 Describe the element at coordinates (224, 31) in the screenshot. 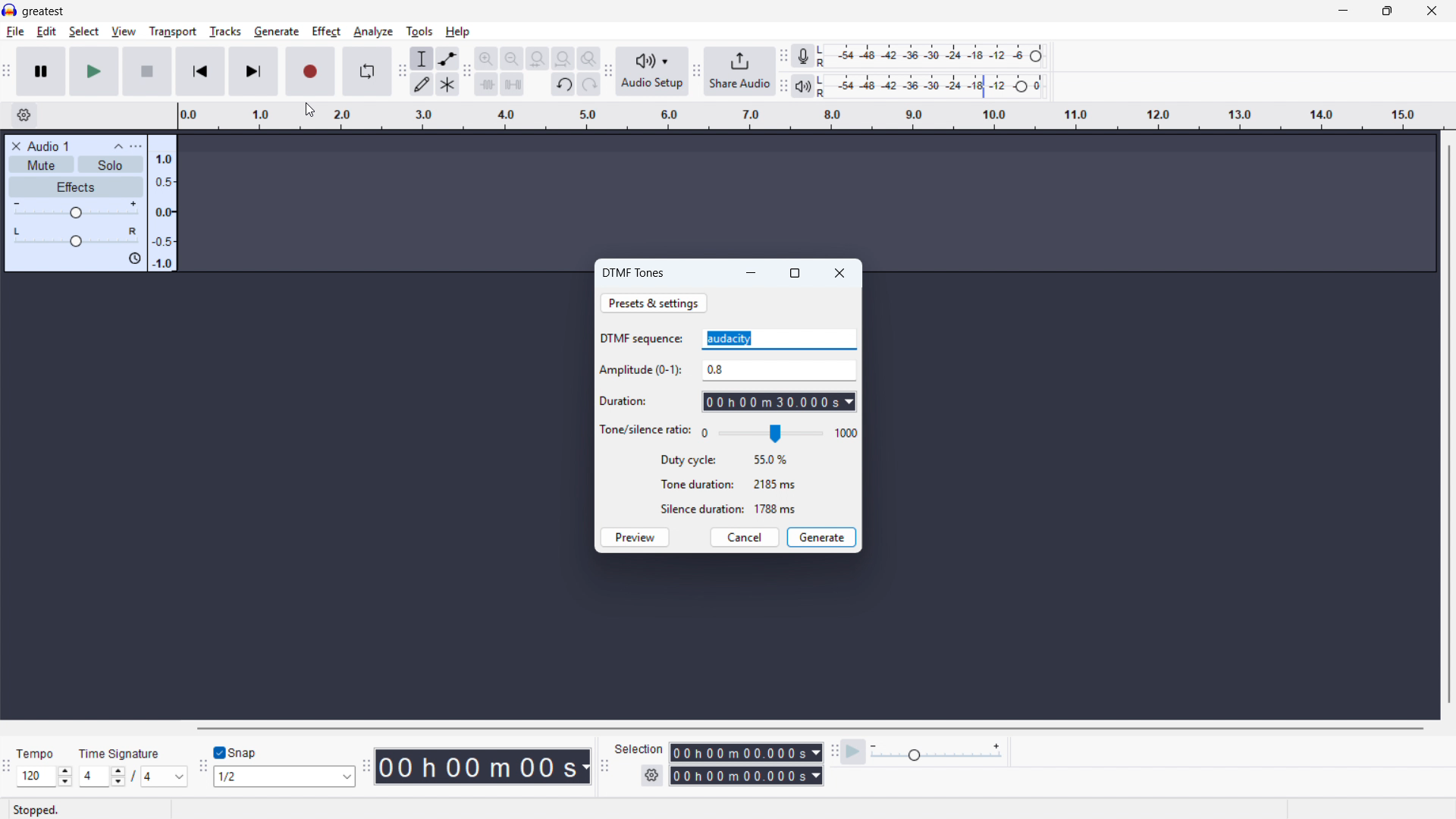

I see `tracks` at that location.